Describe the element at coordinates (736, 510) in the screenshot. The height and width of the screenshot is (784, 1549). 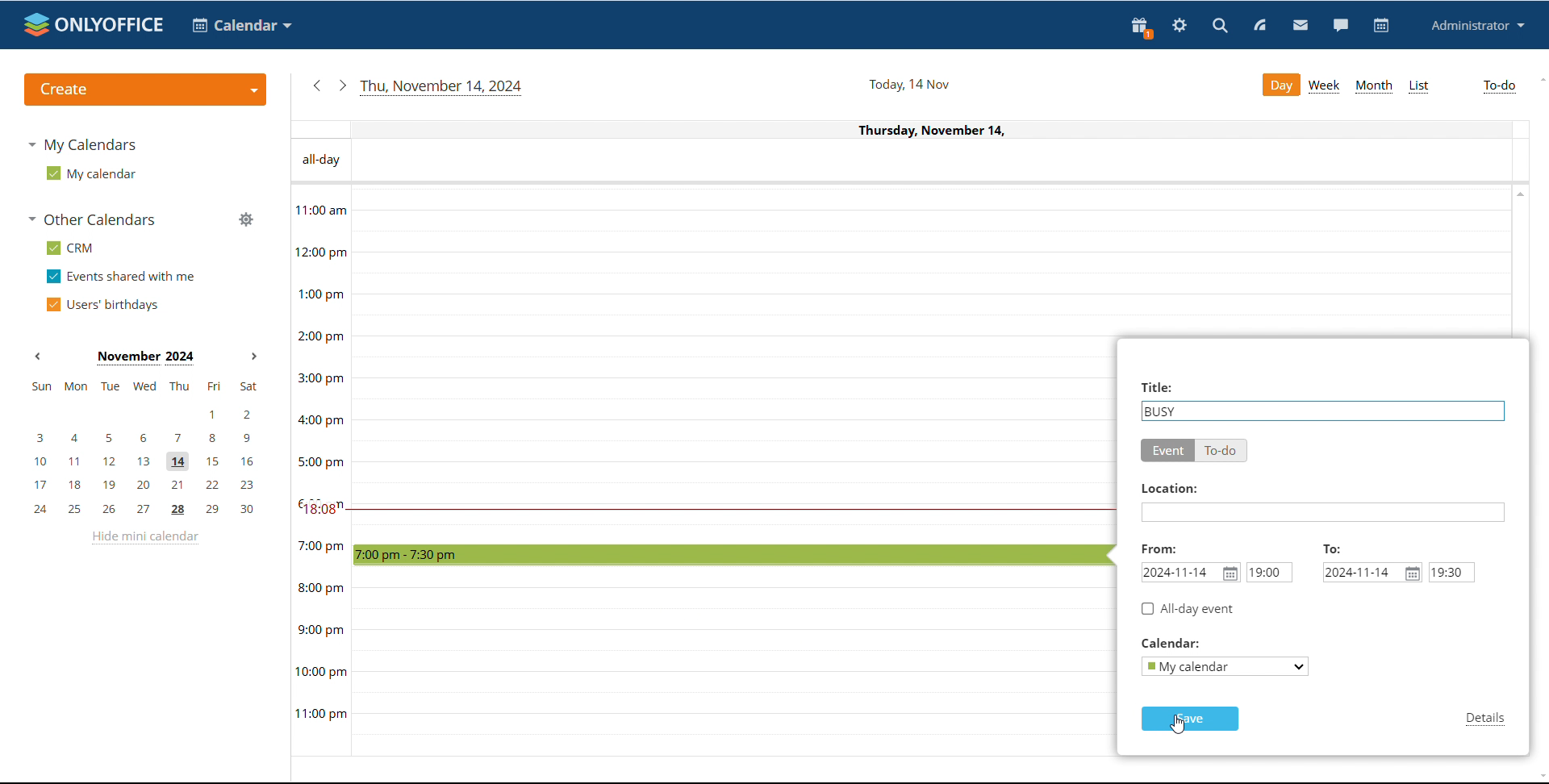
I see `current time` at that location.